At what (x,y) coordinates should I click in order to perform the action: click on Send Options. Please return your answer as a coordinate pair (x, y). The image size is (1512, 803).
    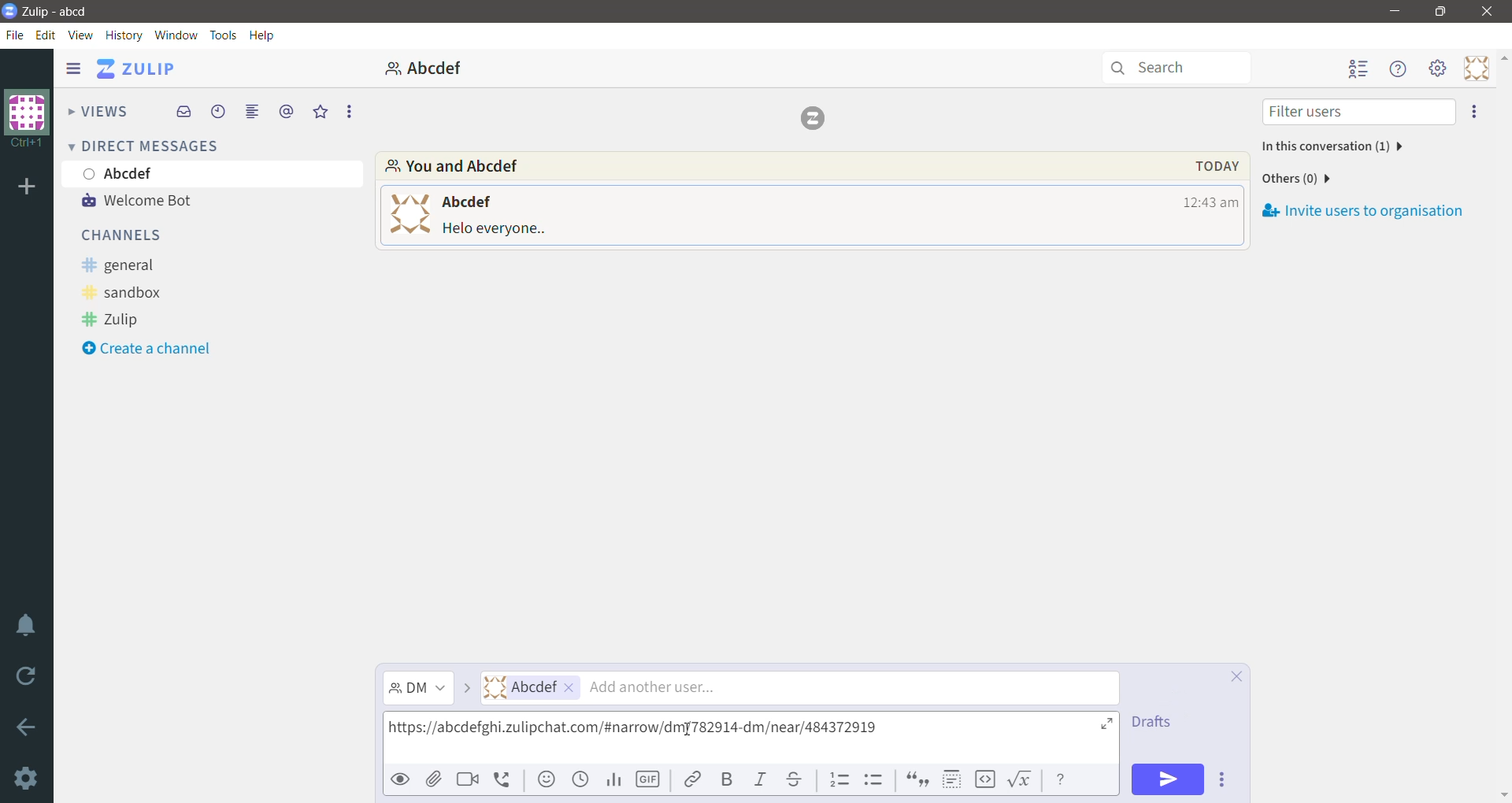
    Looking at the image, I should click on (1221, 779).